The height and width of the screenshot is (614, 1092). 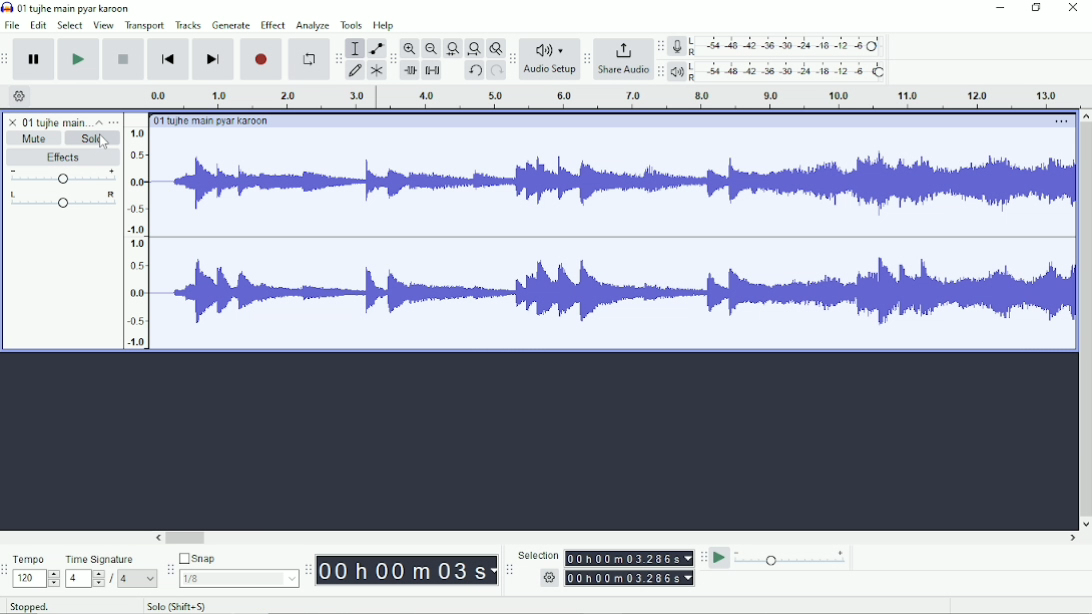 What do you see at coordinates (99, 122) in the screenshot?
I see `Collapse` at bounding box center [99, 122].